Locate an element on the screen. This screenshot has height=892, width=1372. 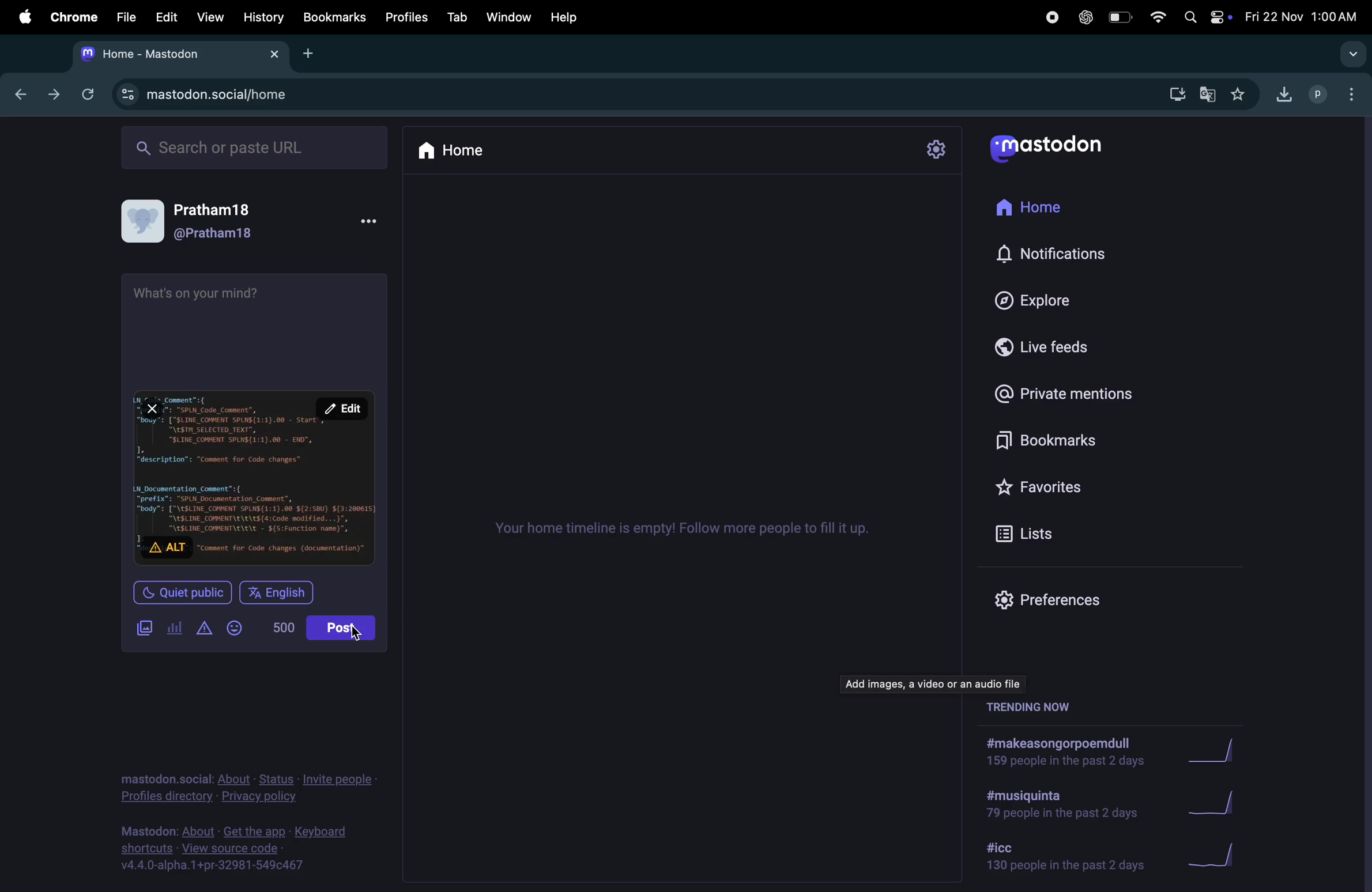
v4.4.0-alpha.1+pr-32981-549c467 is located at coordinates (212, 866).